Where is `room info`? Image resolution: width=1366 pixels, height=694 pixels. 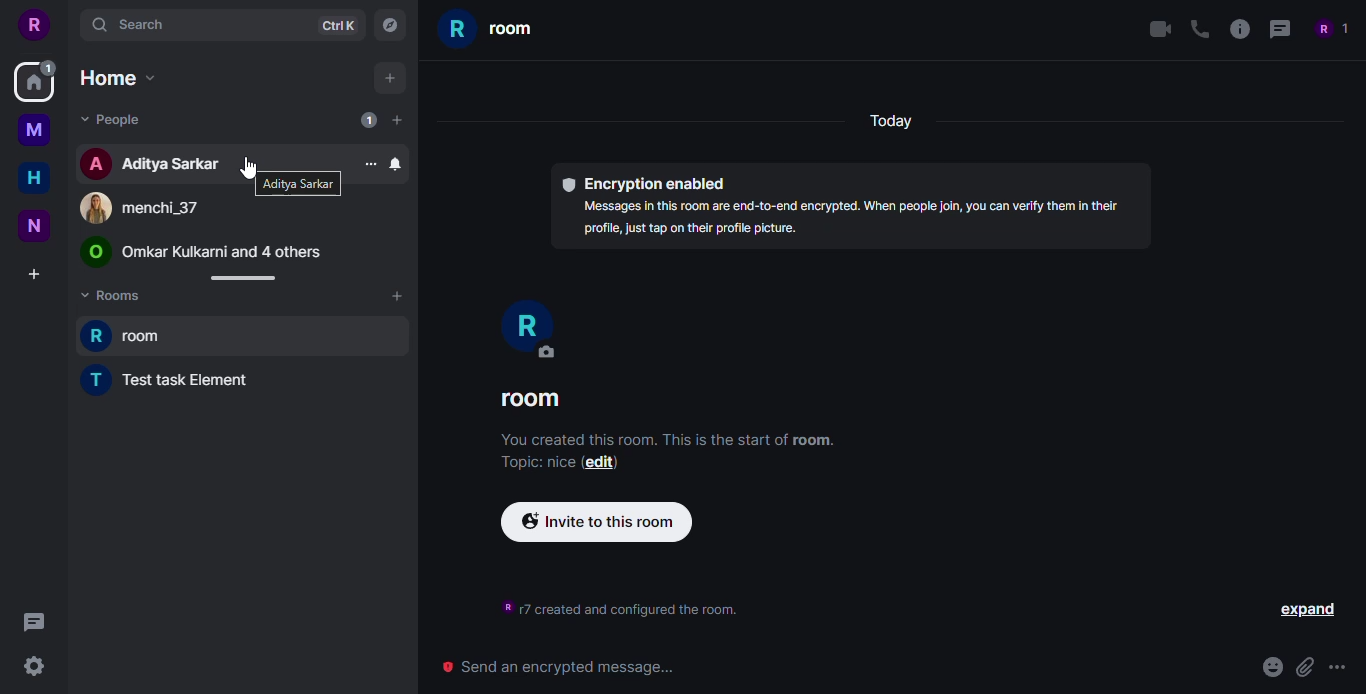
room info is located at coordinates (1235, 28).